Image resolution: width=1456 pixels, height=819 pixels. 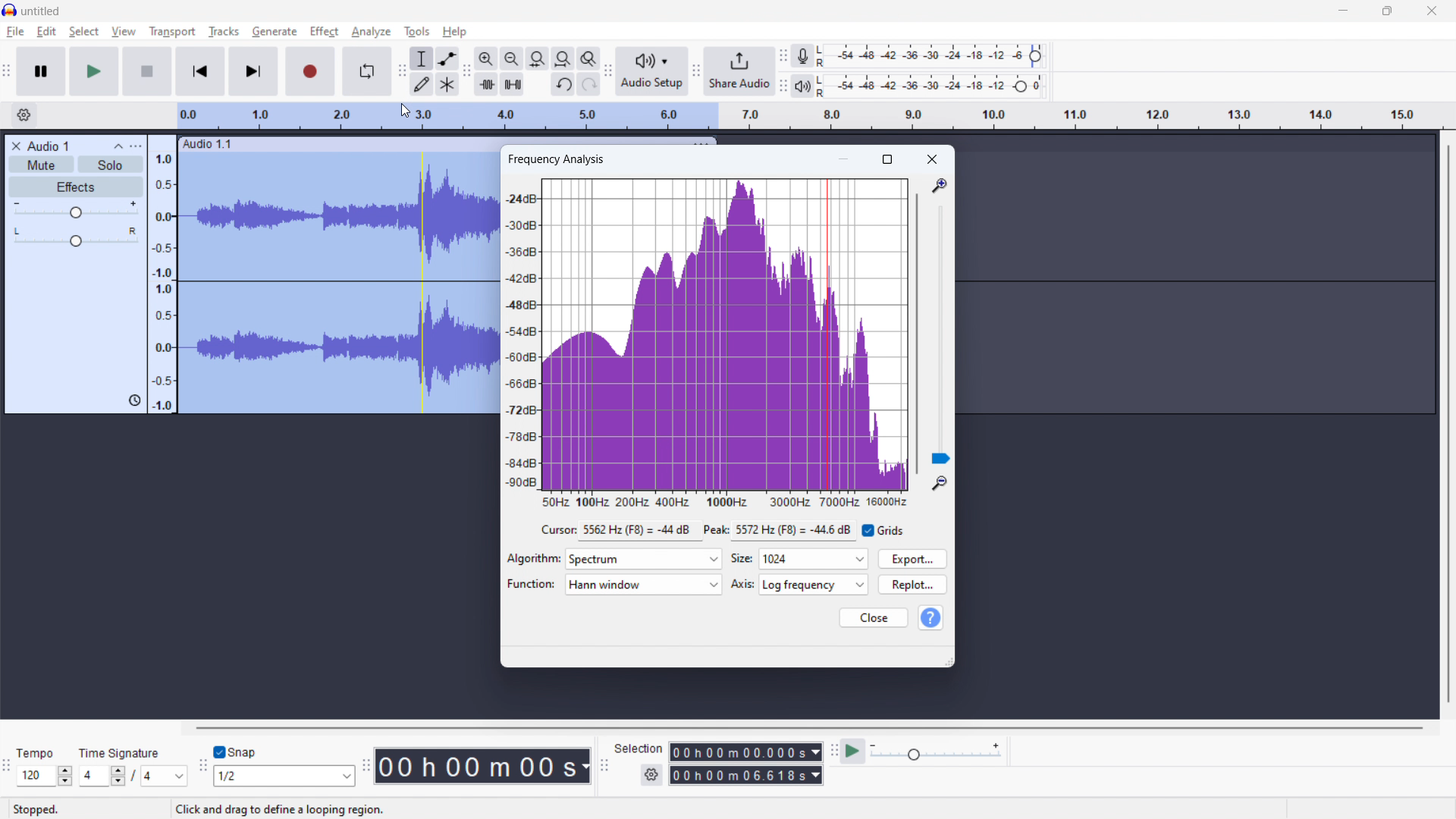 What do you see at coordinates (486, 83) in the screenshot?
I see `trim audio outside selection` at bounding box center [486, 83].